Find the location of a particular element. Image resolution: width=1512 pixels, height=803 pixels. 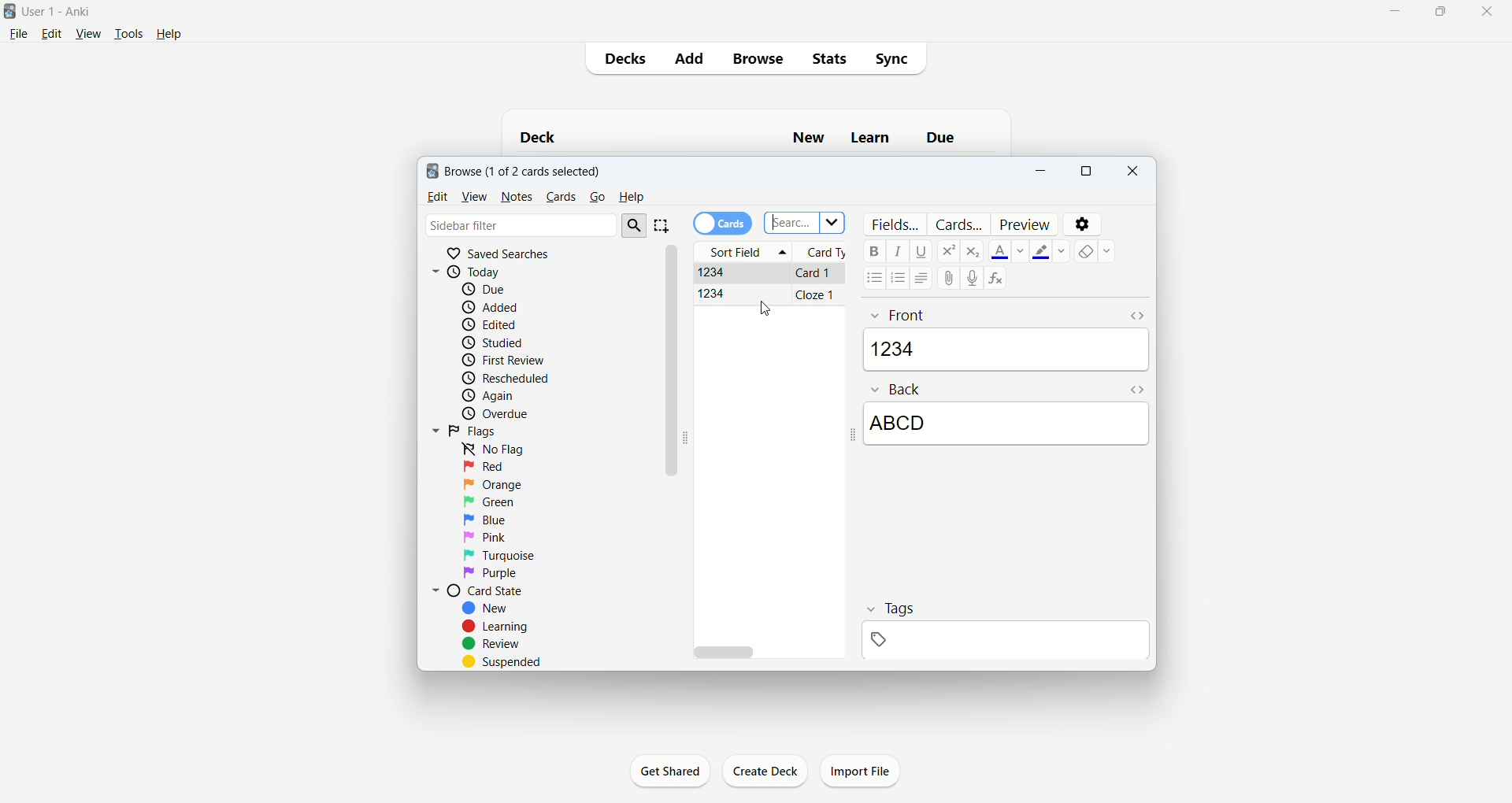

create deck is located at coordinates (766, 770).